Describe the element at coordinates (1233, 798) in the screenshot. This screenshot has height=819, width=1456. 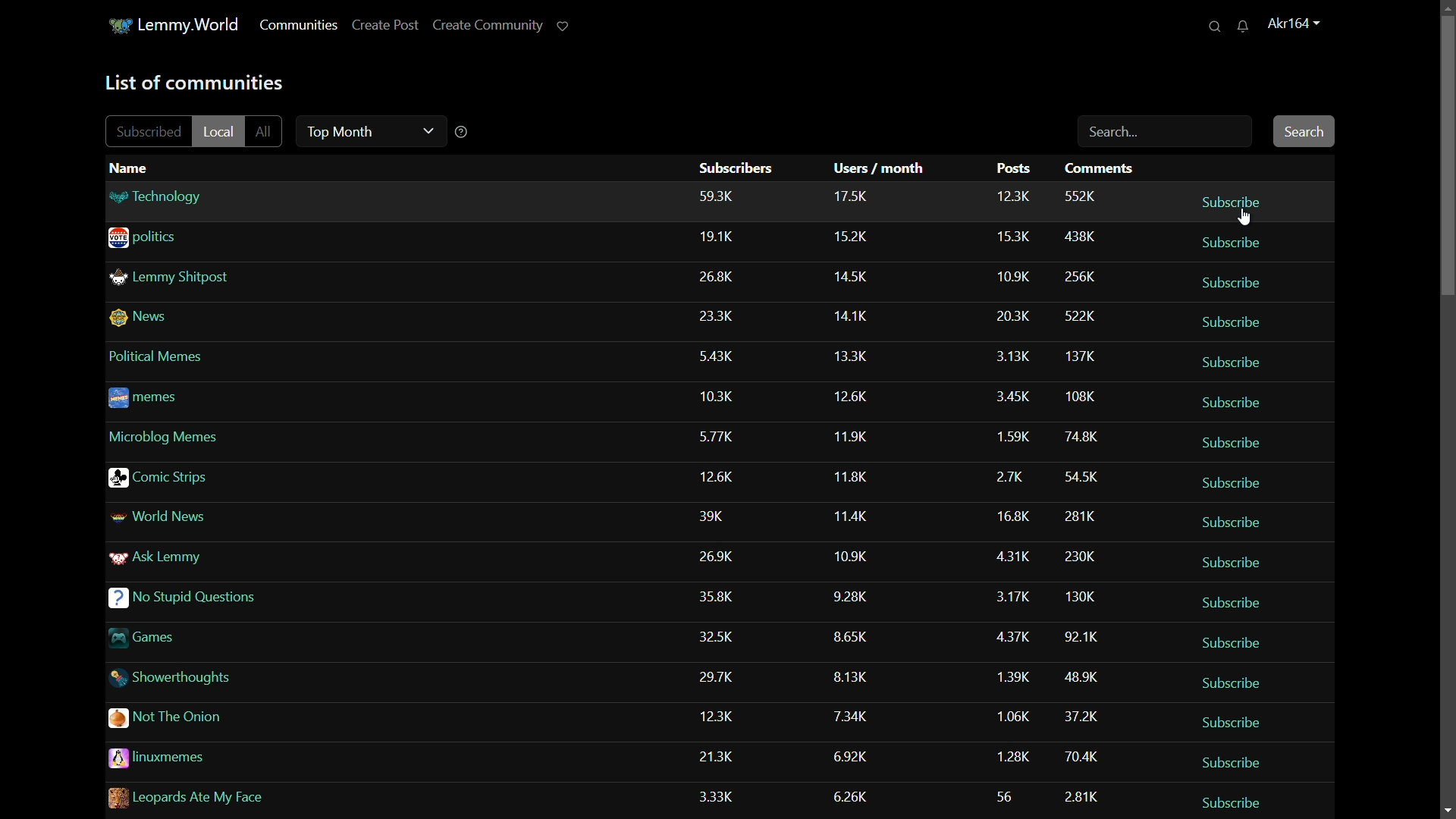
I see `subscribe/unsubscribe` at that location.